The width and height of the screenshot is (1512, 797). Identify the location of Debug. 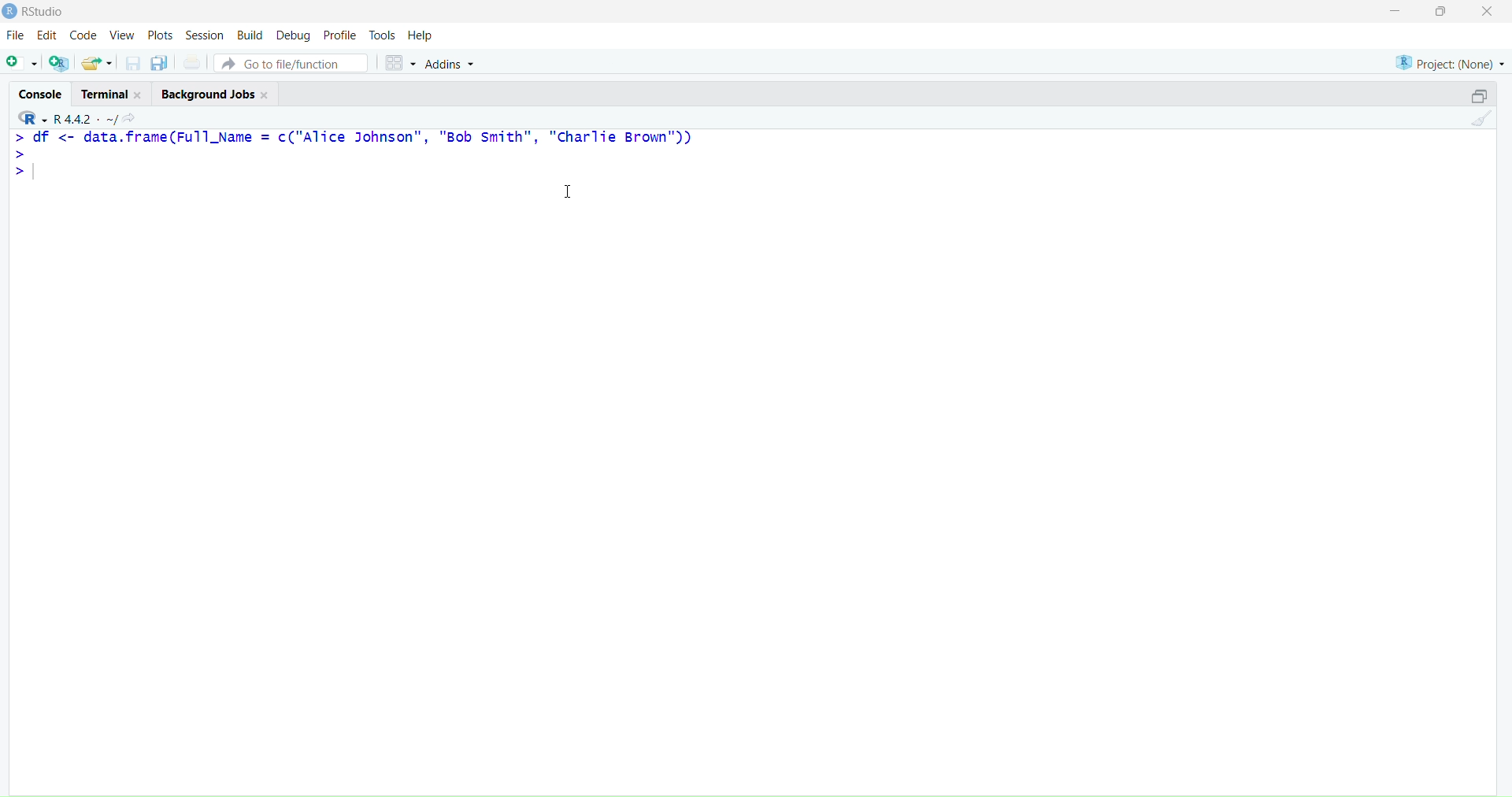
(293, 35).